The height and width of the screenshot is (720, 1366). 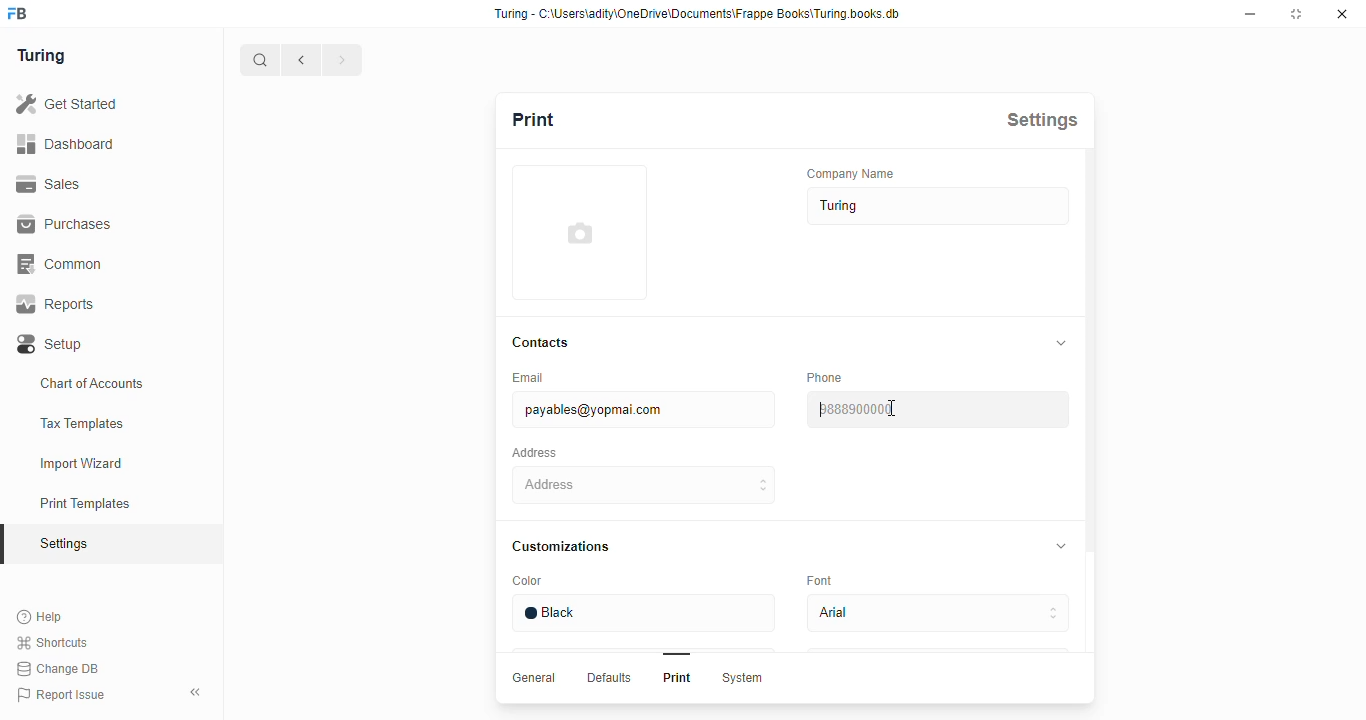 I want to click on Settings, so click(x=1041, y=120).